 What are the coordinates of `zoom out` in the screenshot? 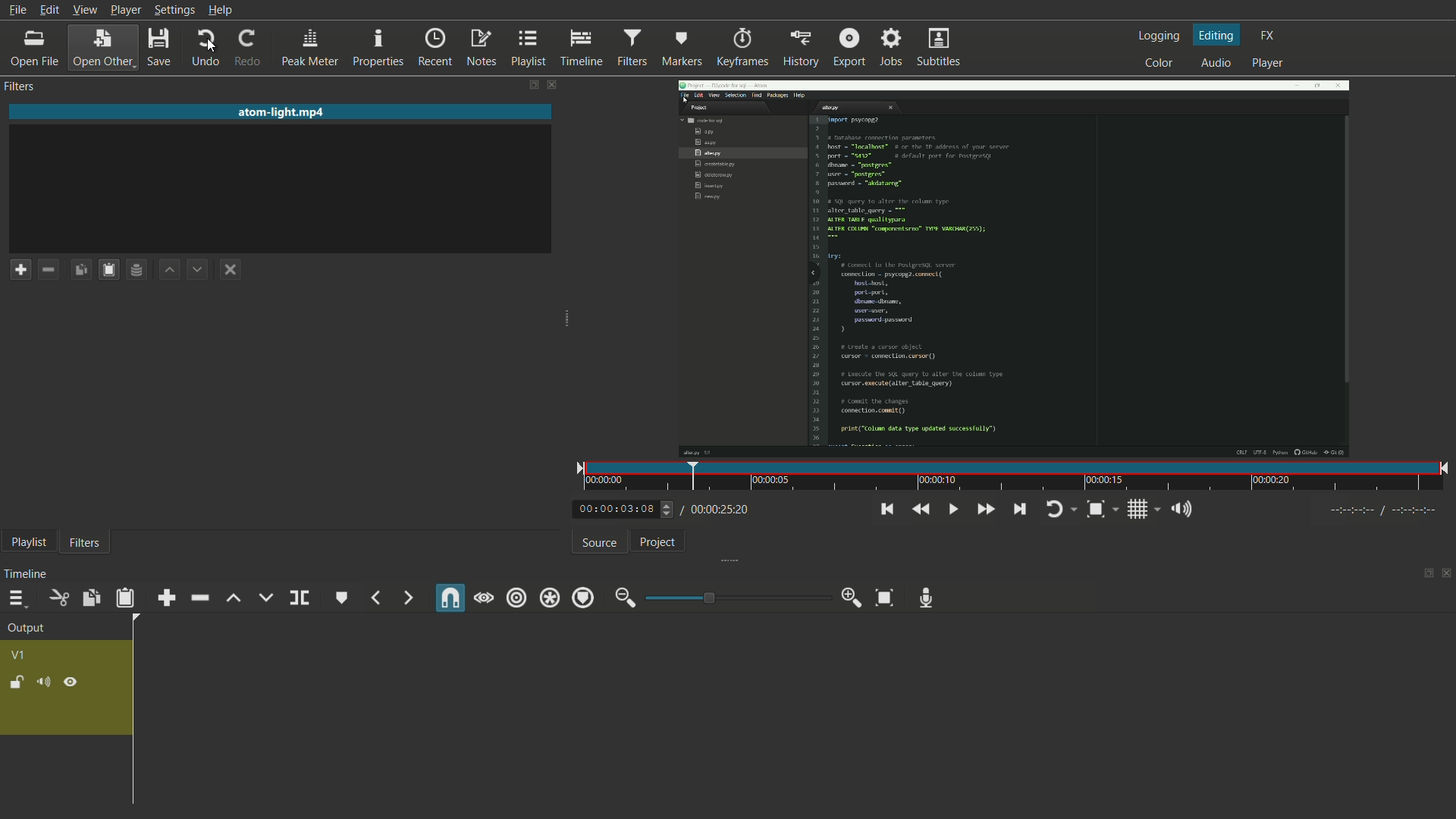 It's located at (625, 599).